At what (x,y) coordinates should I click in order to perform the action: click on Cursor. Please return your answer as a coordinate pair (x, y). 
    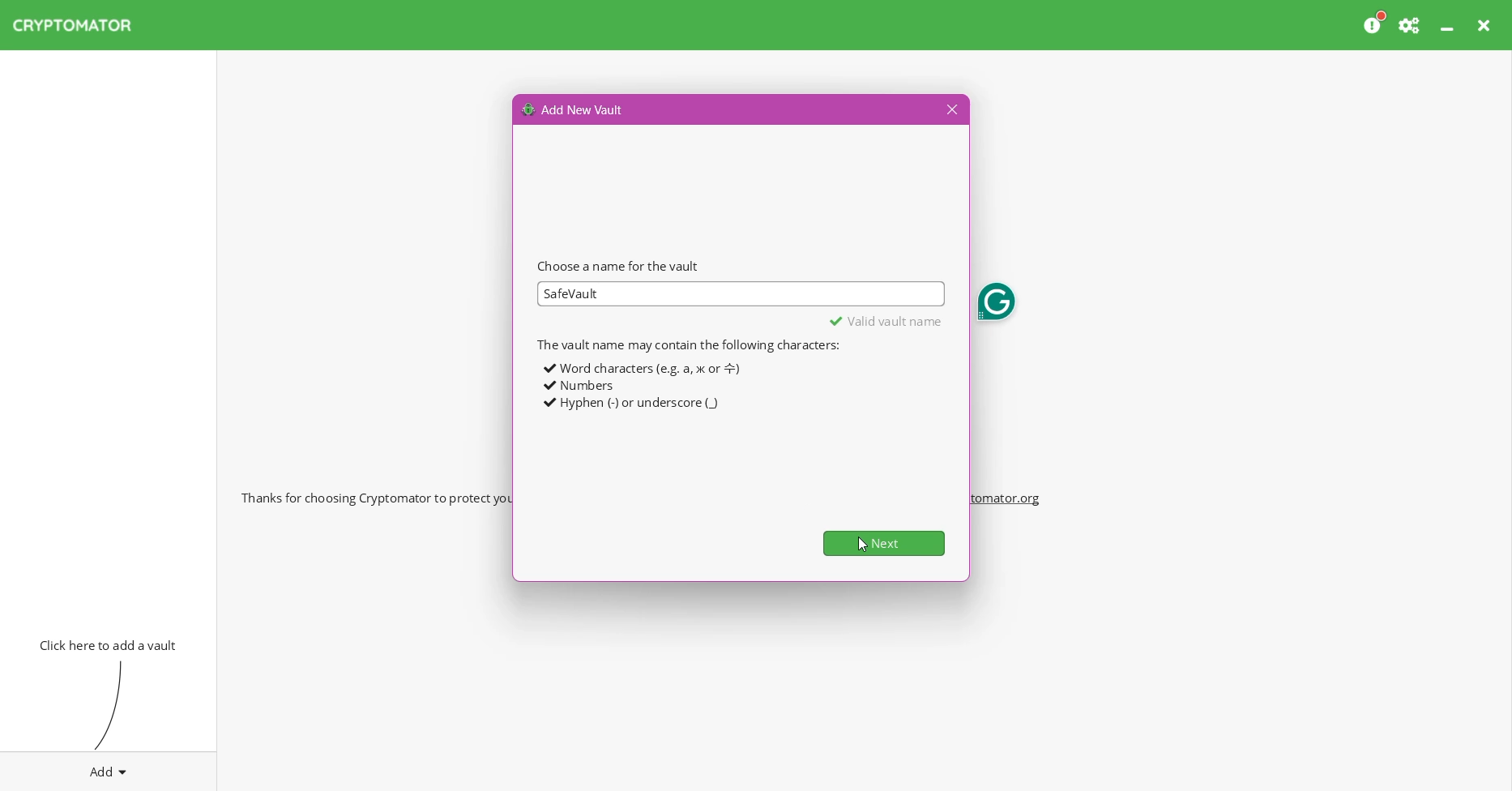
    Looking at the image, I should click on (862, 543).